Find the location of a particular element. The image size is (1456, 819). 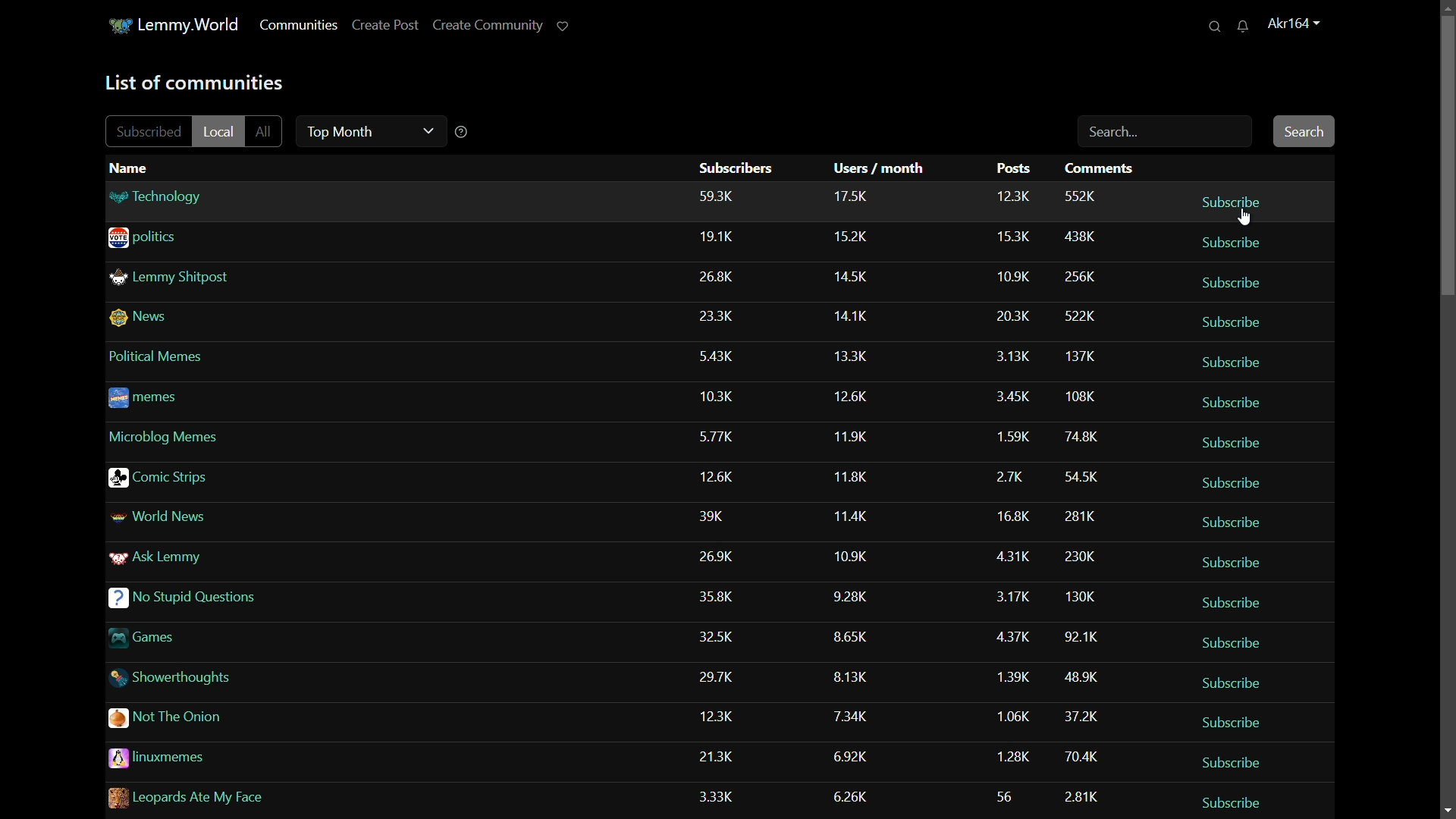

subscribe/unsubscribe is located at coordinates (1230, 242).